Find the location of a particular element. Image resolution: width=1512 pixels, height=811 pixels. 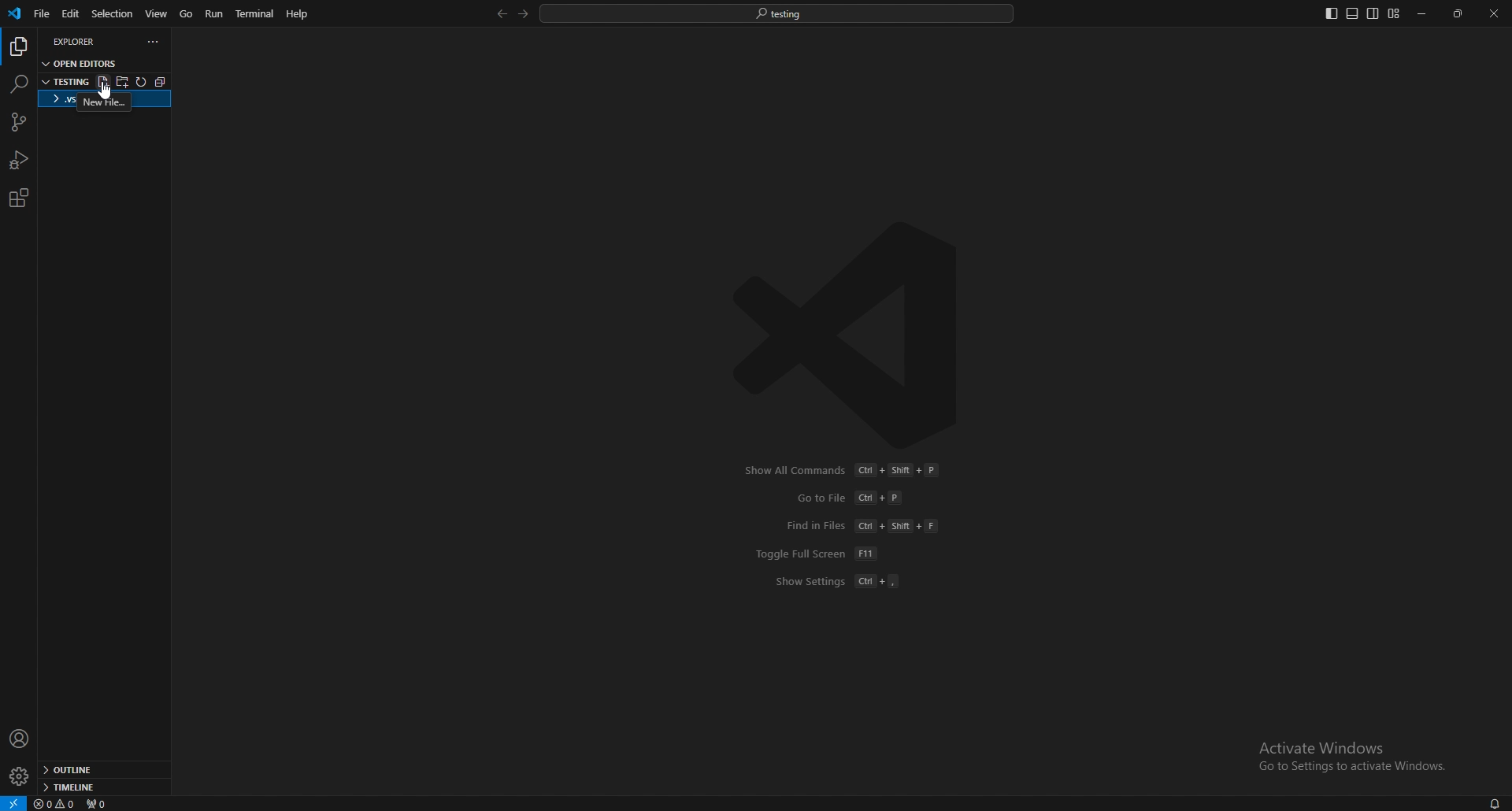

terminal is located at coordinates (258, 14).